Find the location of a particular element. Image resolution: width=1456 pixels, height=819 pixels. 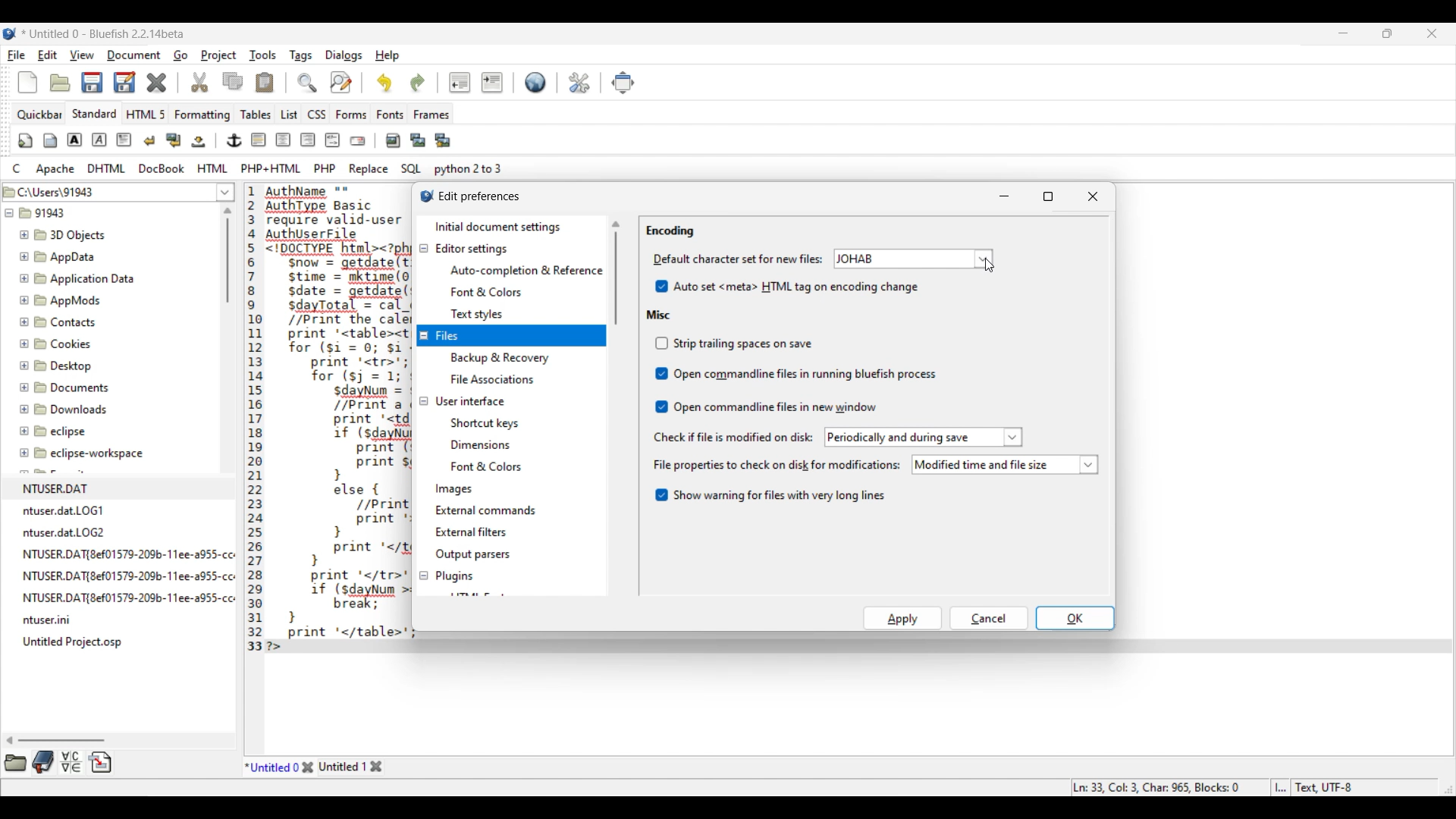

User interface settings is located at coordinates (470, 402).